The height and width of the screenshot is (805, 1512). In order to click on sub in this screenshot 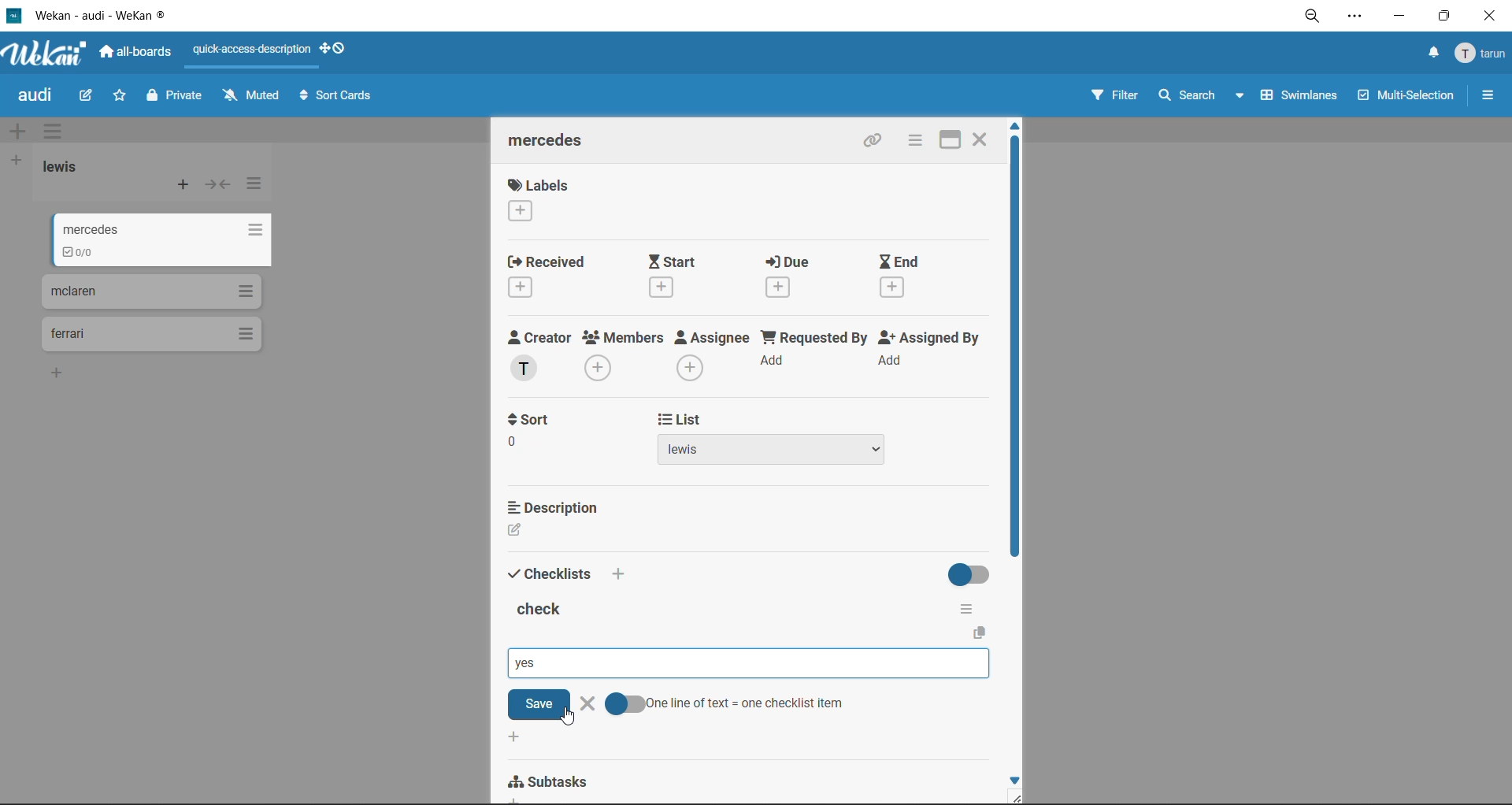, I will do `click(564, 780)`.